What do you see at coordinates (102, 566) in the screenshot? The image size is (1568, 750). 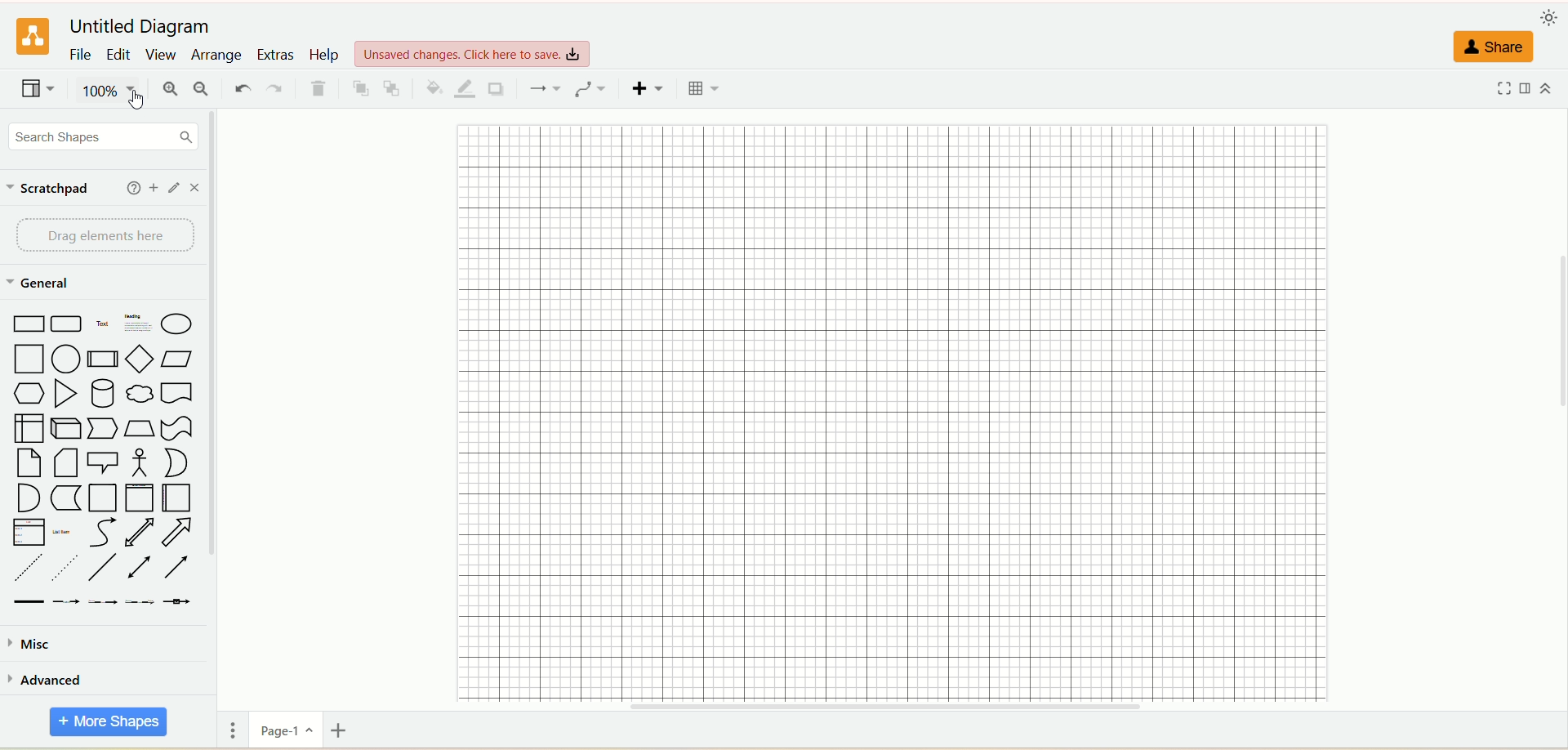 I see `line` at bounding box center [102, 566].